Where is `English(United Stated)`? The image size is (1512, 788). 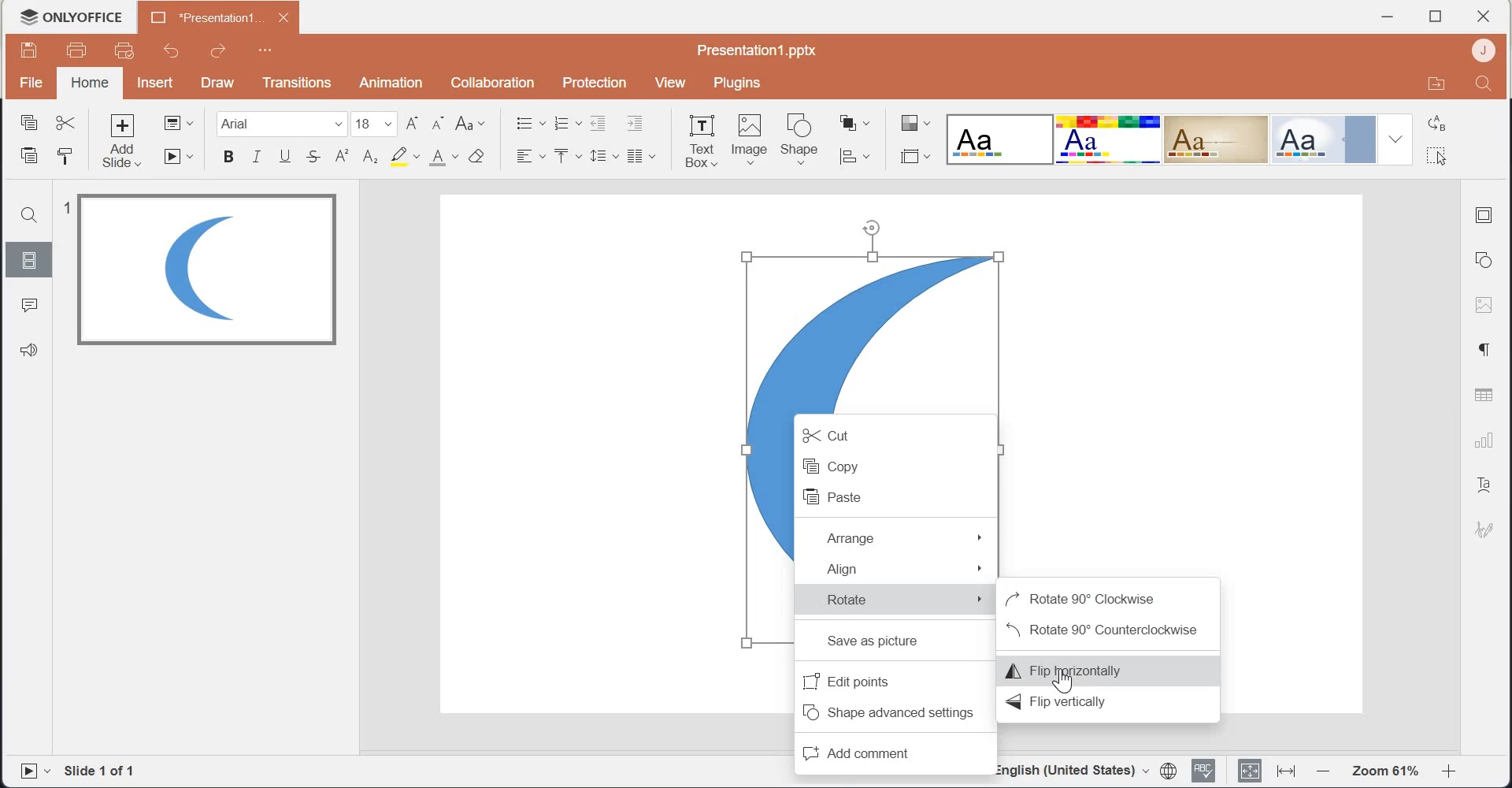 English(United Stated) is located at coordinates (1073, 773).